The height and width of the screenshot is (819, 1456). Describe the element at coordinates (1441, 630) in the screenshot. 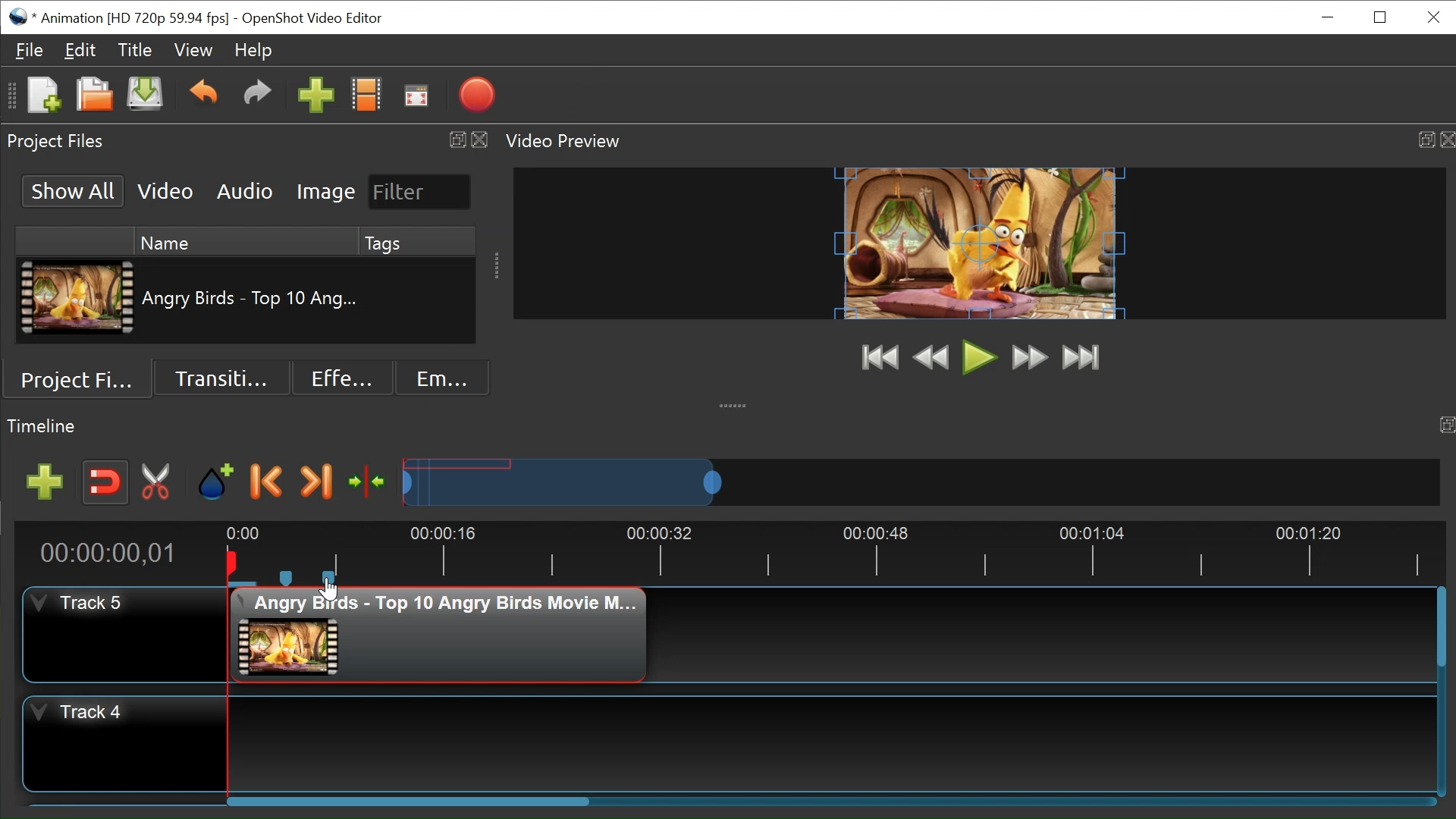

I see `Vertical Scroll bar` at that location.